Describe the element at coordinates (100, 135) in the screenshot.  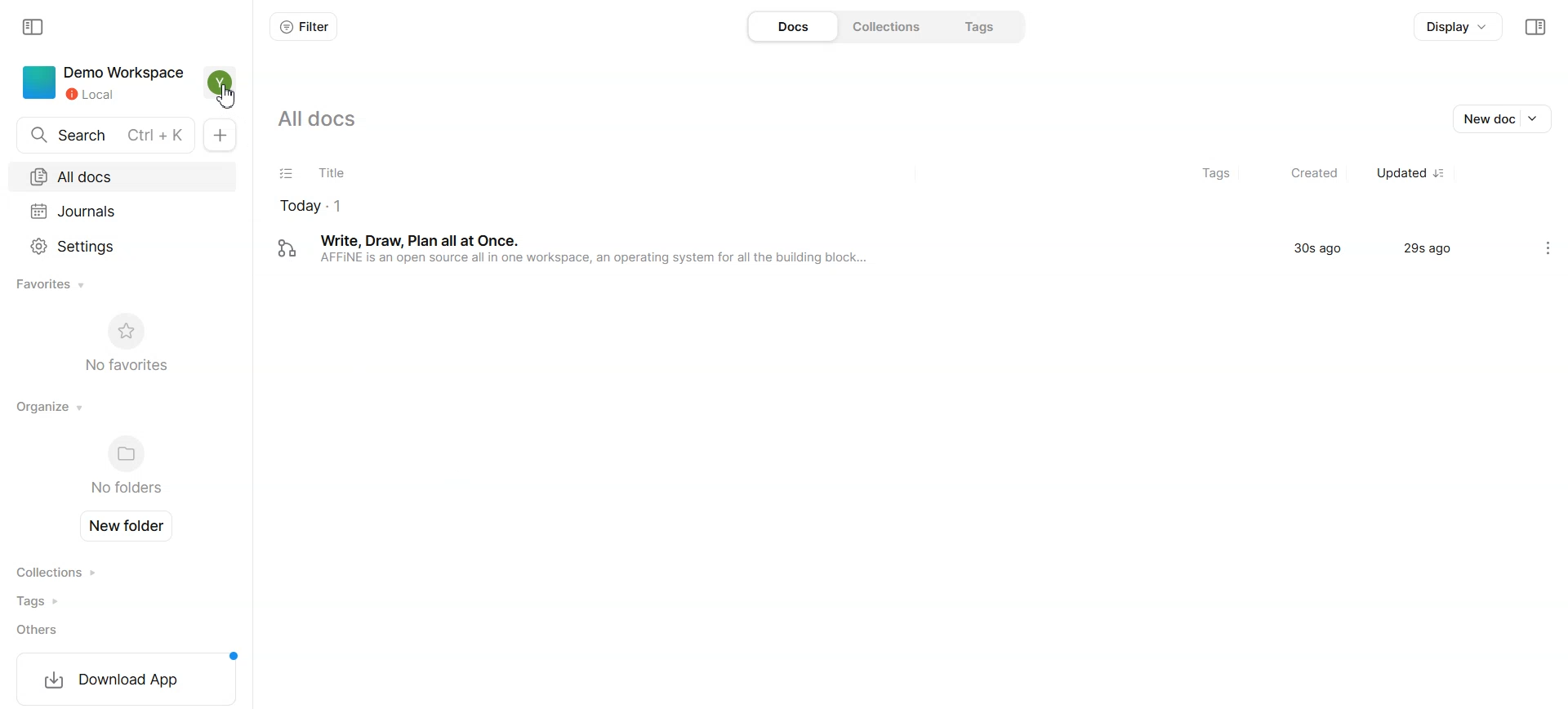
I see `Search Doc` at that location.